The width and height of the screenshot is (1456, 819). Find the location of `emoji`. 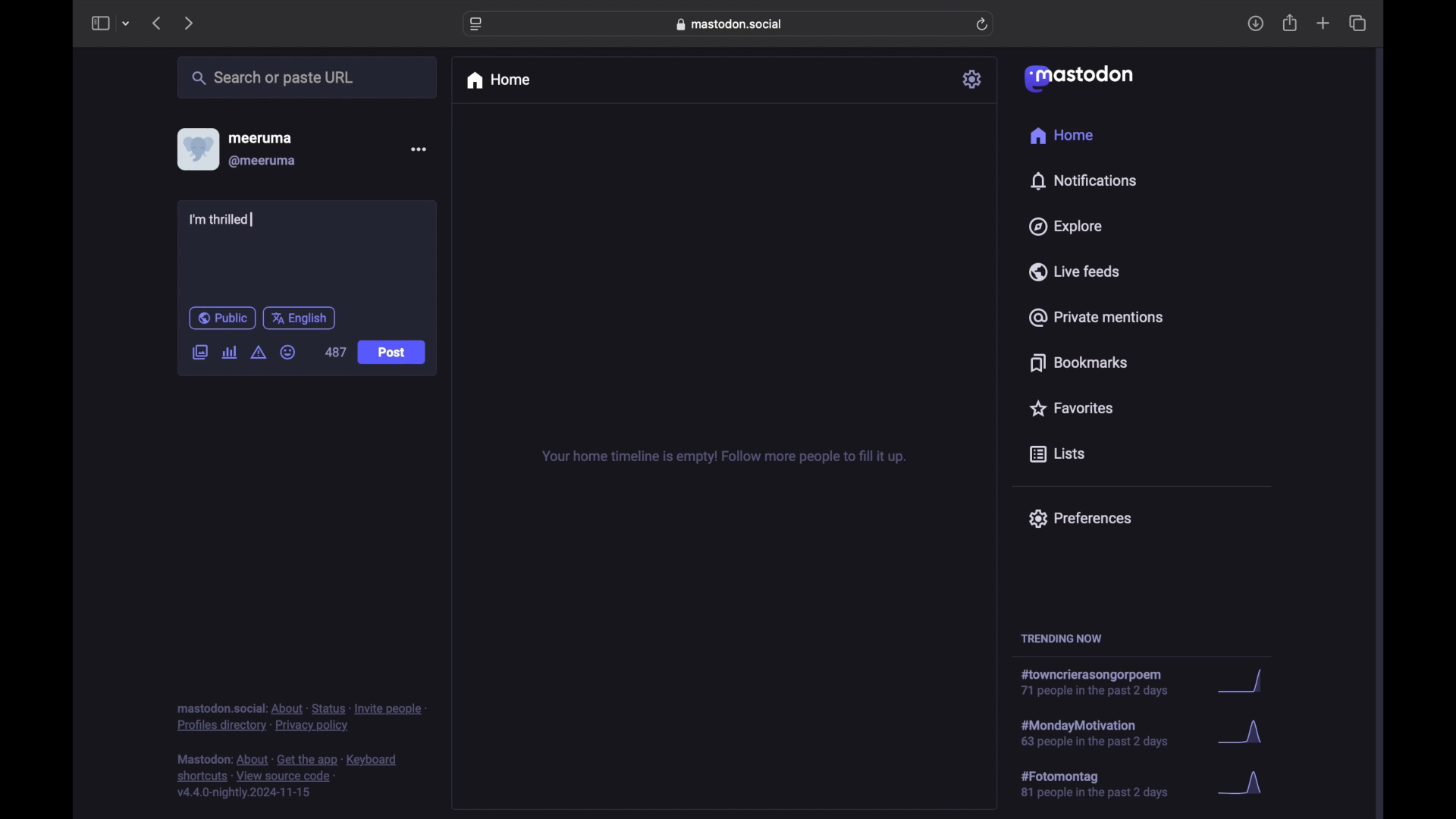

emoji is located at coordinates (287, 352).